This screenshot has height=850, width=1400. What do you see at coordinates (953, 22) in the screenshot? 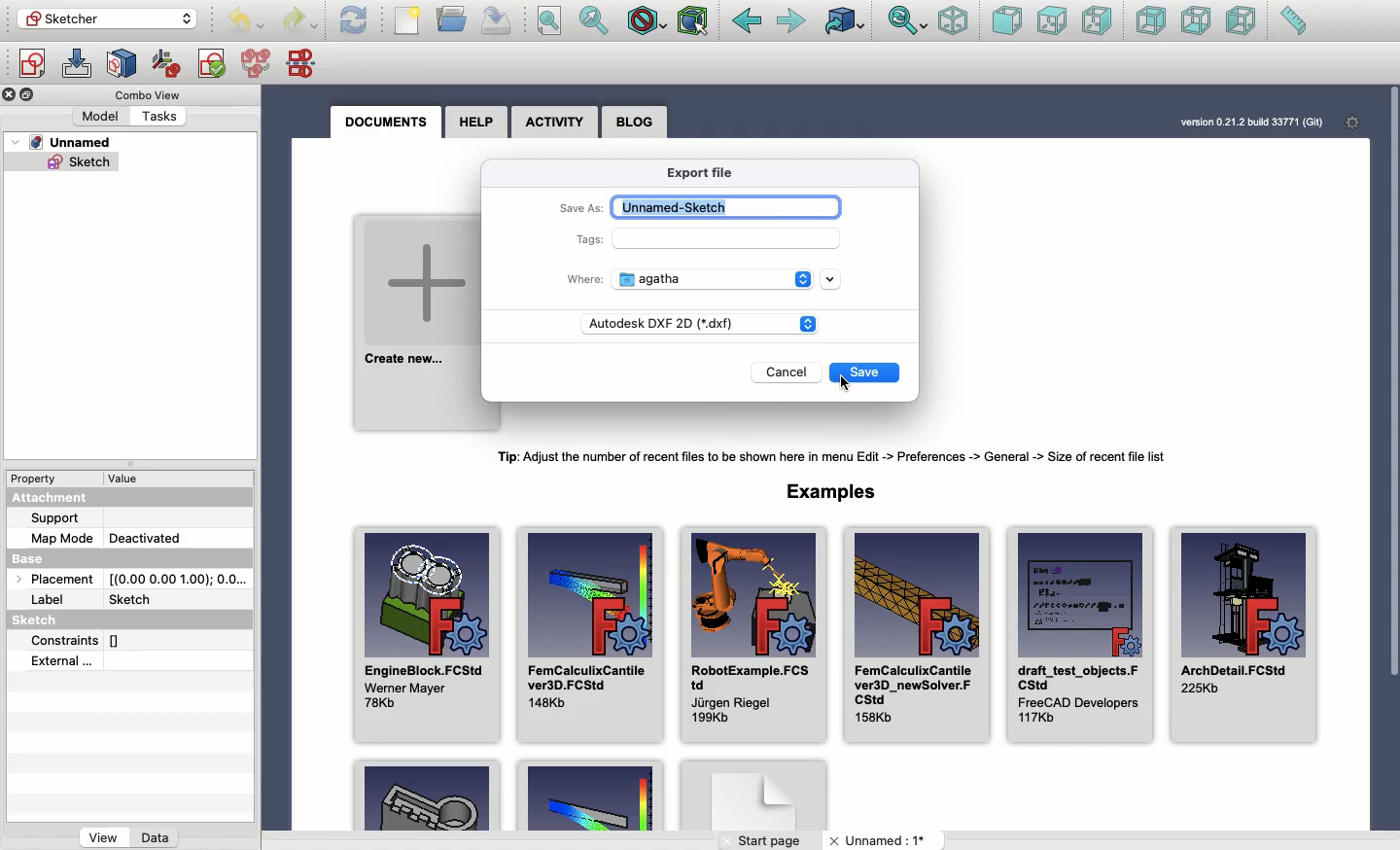
I see `Isometric` at bounding box center [953, 22].